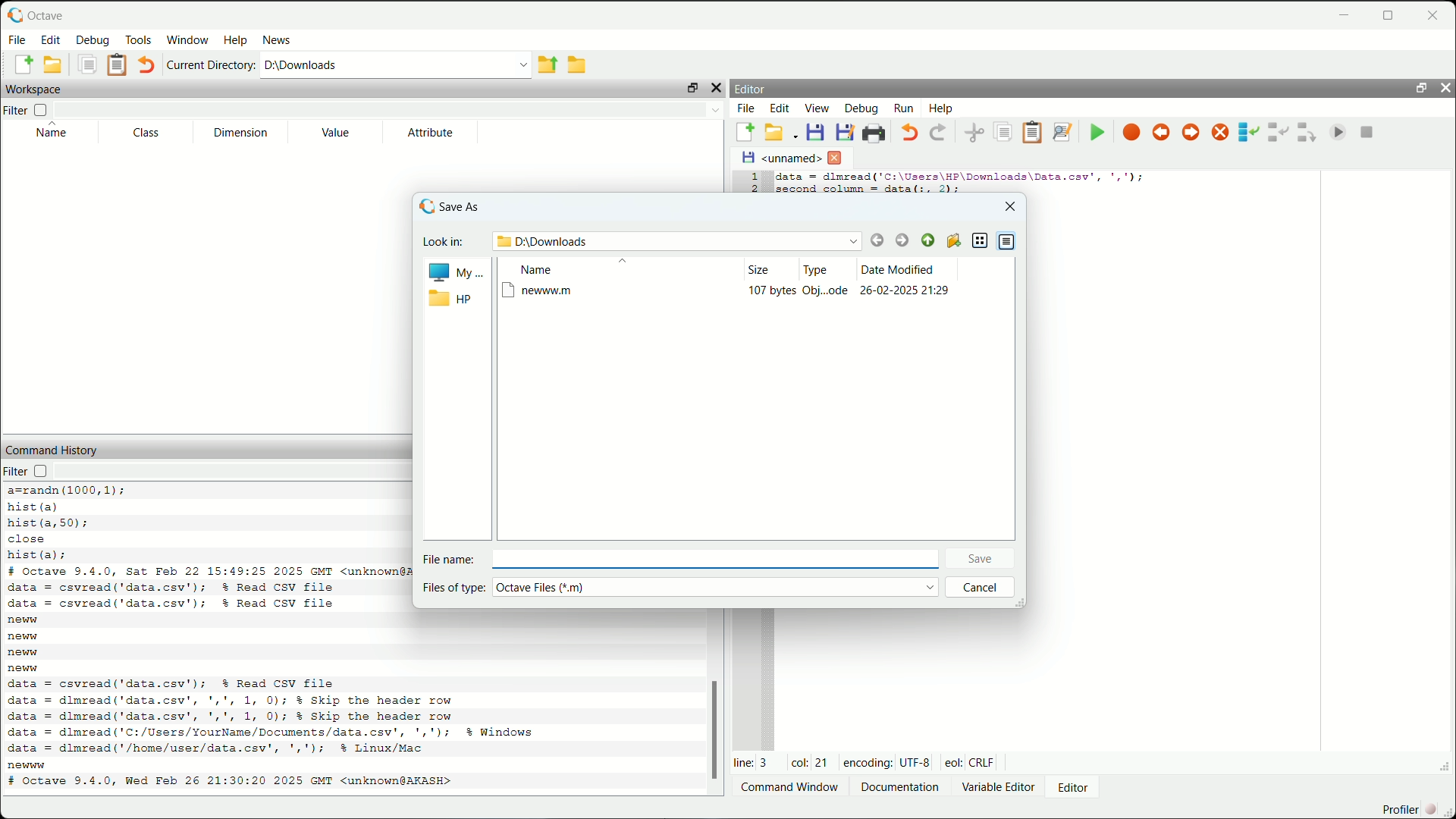 The height and width of the screenshot is (819, 1456). I want to click on editor, so click(753, 87).